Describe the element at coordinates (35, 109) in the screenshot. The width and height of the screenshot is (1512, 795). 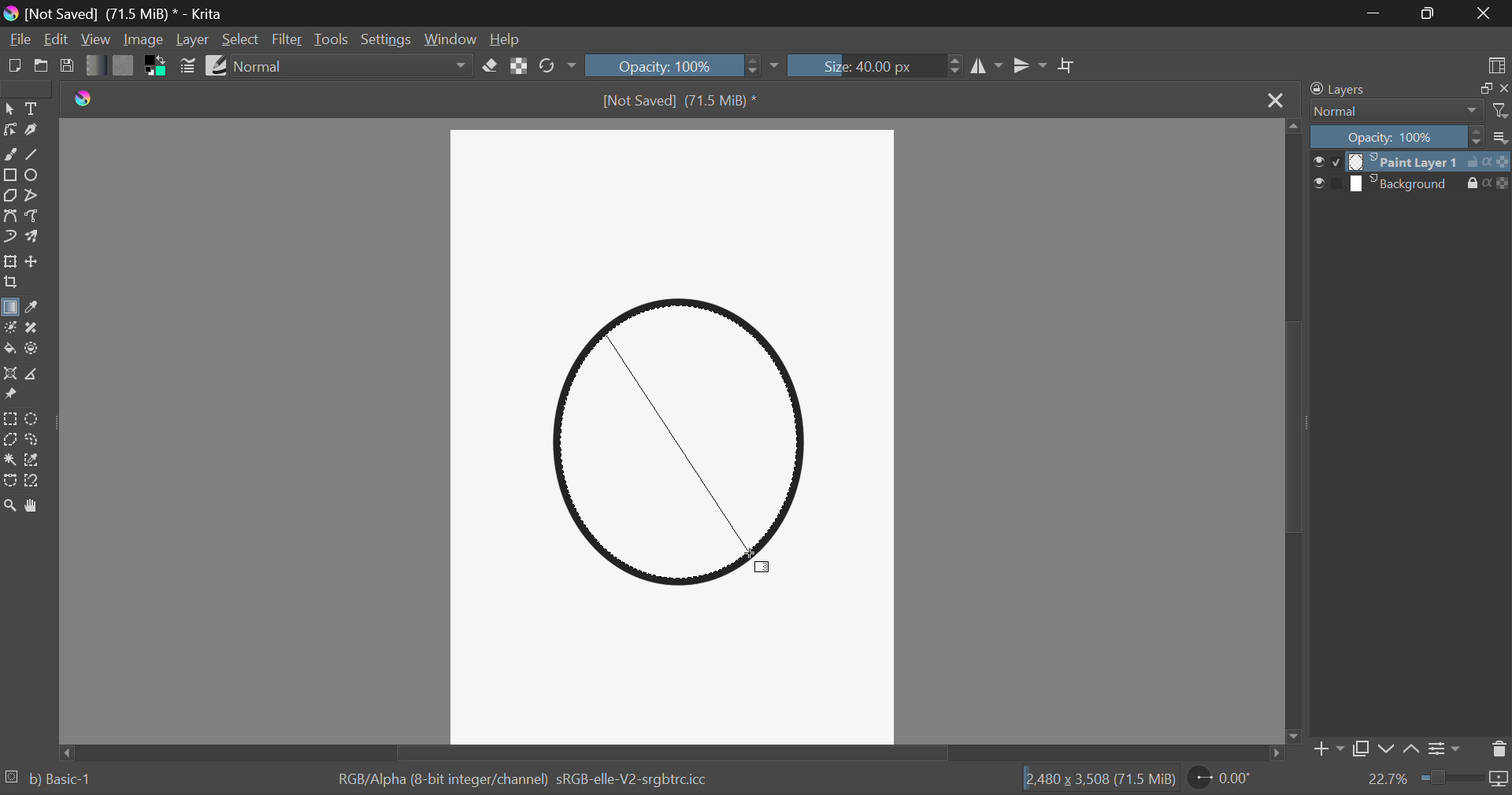
I see `Text` at that location.